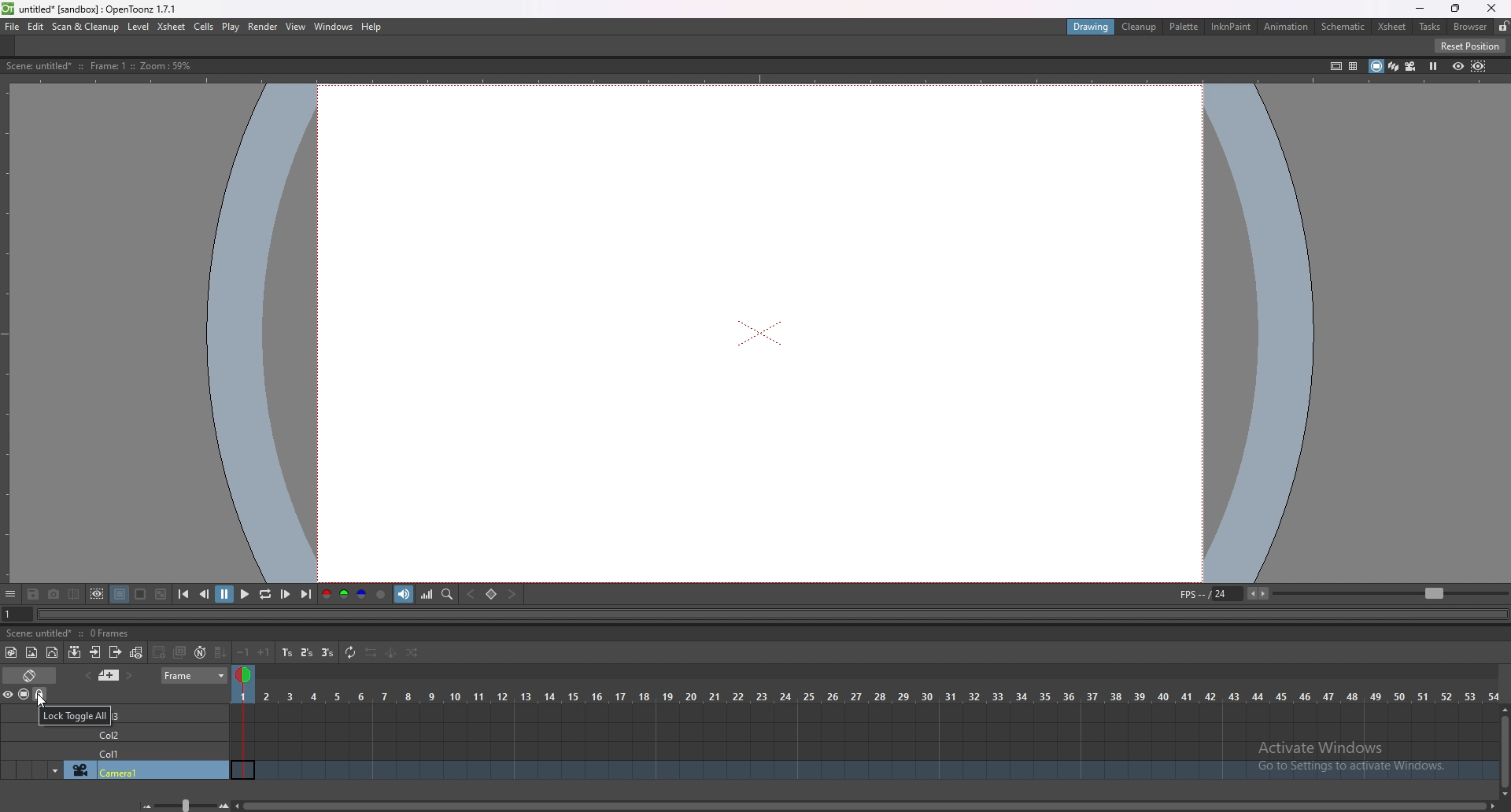  What do you see at coordinates (326, 593) in the screenshot?
I see `red` at bounding box center [326, 593].